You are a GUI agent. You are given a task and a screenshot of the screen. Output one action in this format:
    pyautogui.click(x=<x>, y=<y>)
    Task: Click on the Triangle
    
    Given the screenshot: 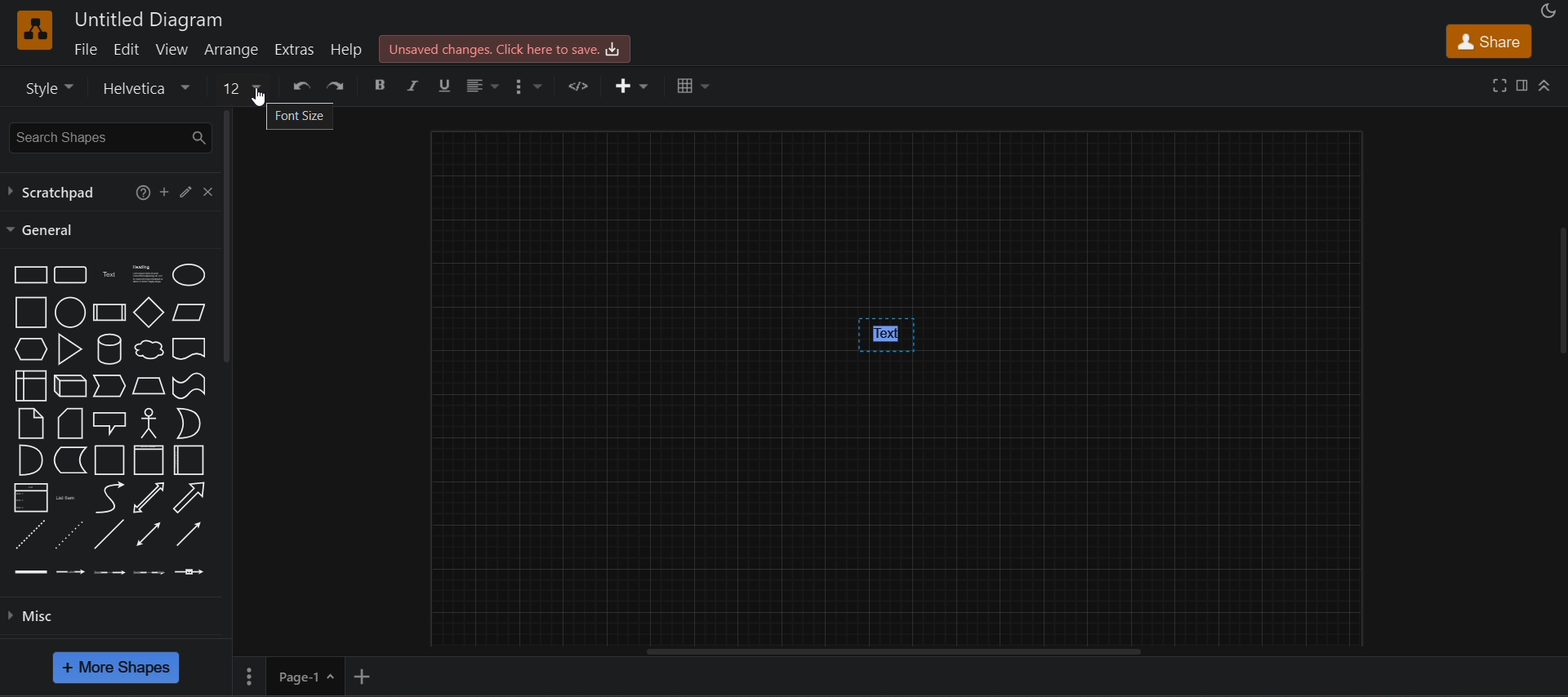 What is the action you would take?
    pyautogui.click(x=70, y=349)
    